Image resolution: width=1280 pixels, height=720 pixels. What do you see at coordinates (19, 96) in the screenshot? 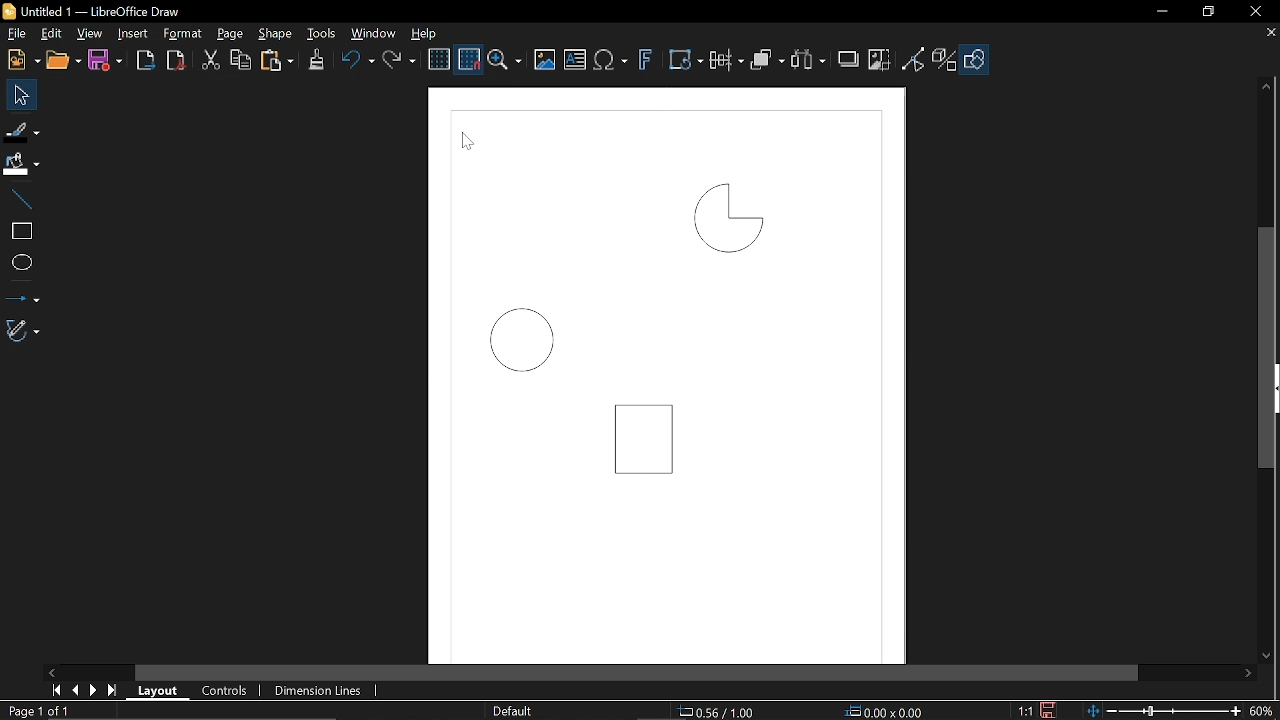
I see `Select` at bounding box center [19, 96].